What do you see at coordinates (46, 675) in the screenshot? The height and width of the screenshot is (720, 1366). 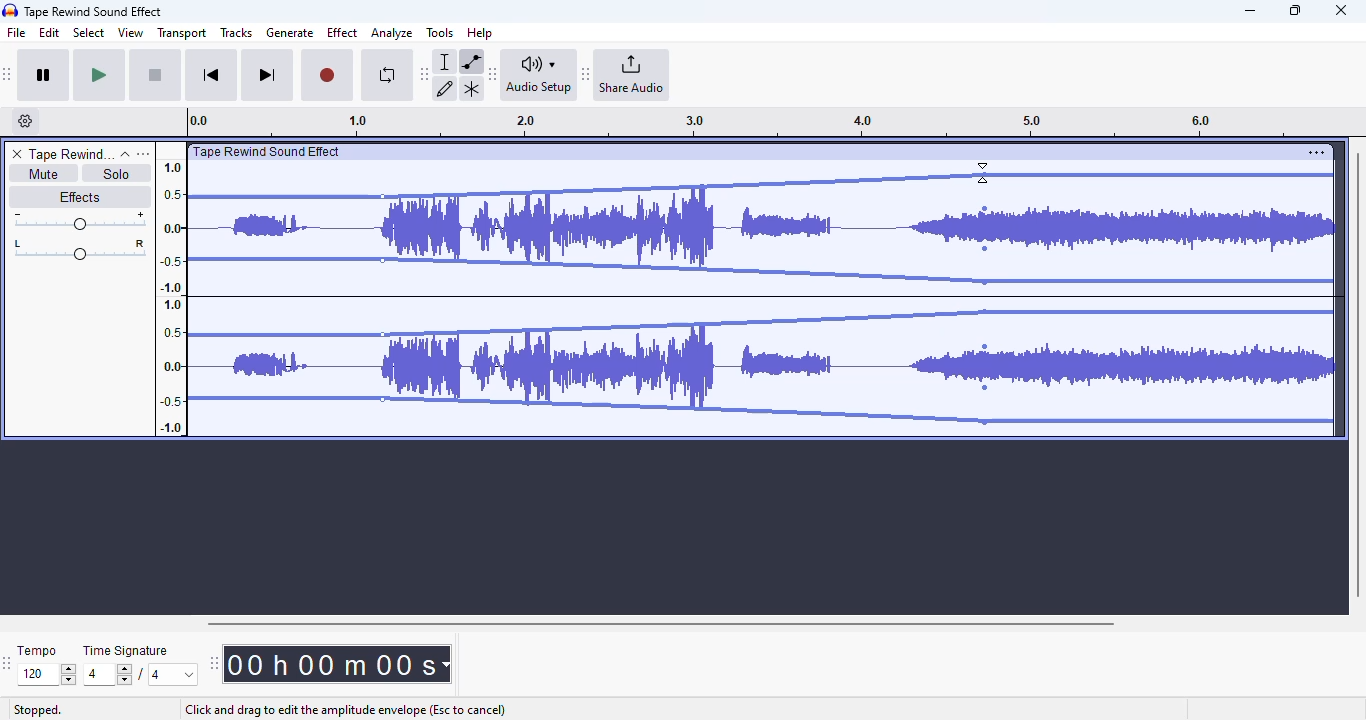 I see `Input for tempo` at bounding box center [46, 675].